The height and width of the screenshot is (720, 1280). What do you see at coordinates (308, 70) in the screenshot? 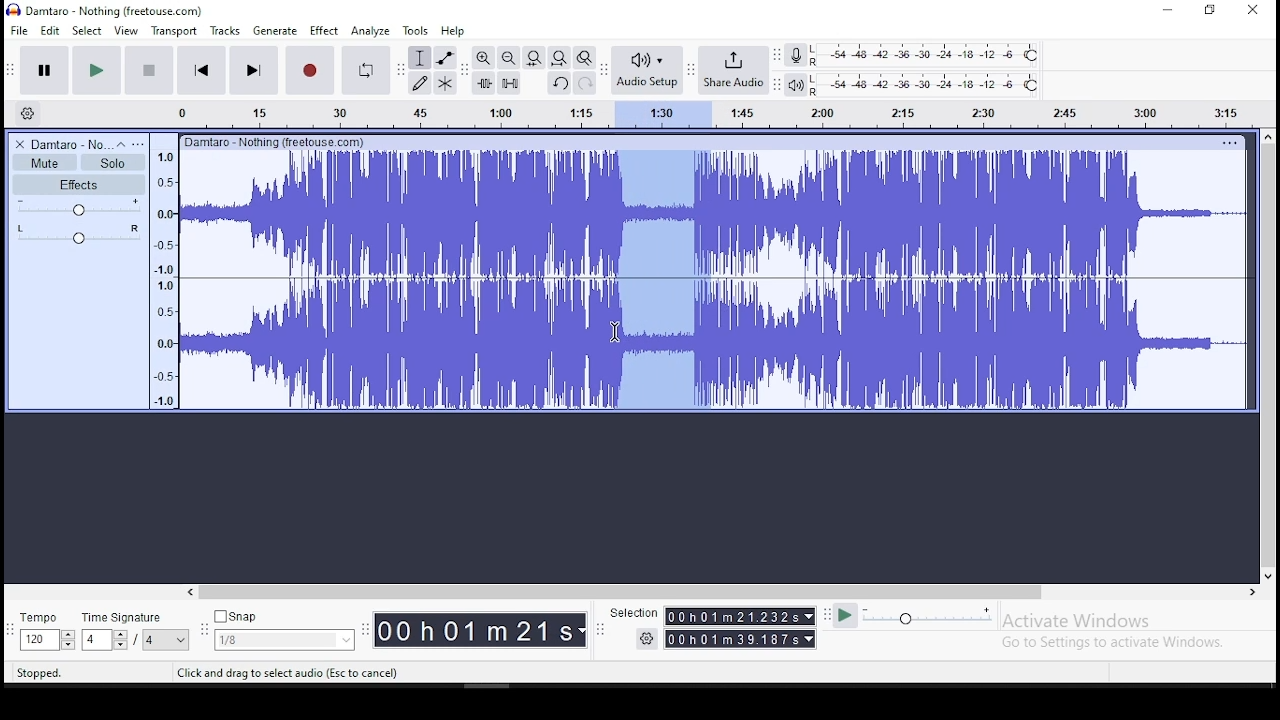
I see `record` at bounding box center [308, 70].